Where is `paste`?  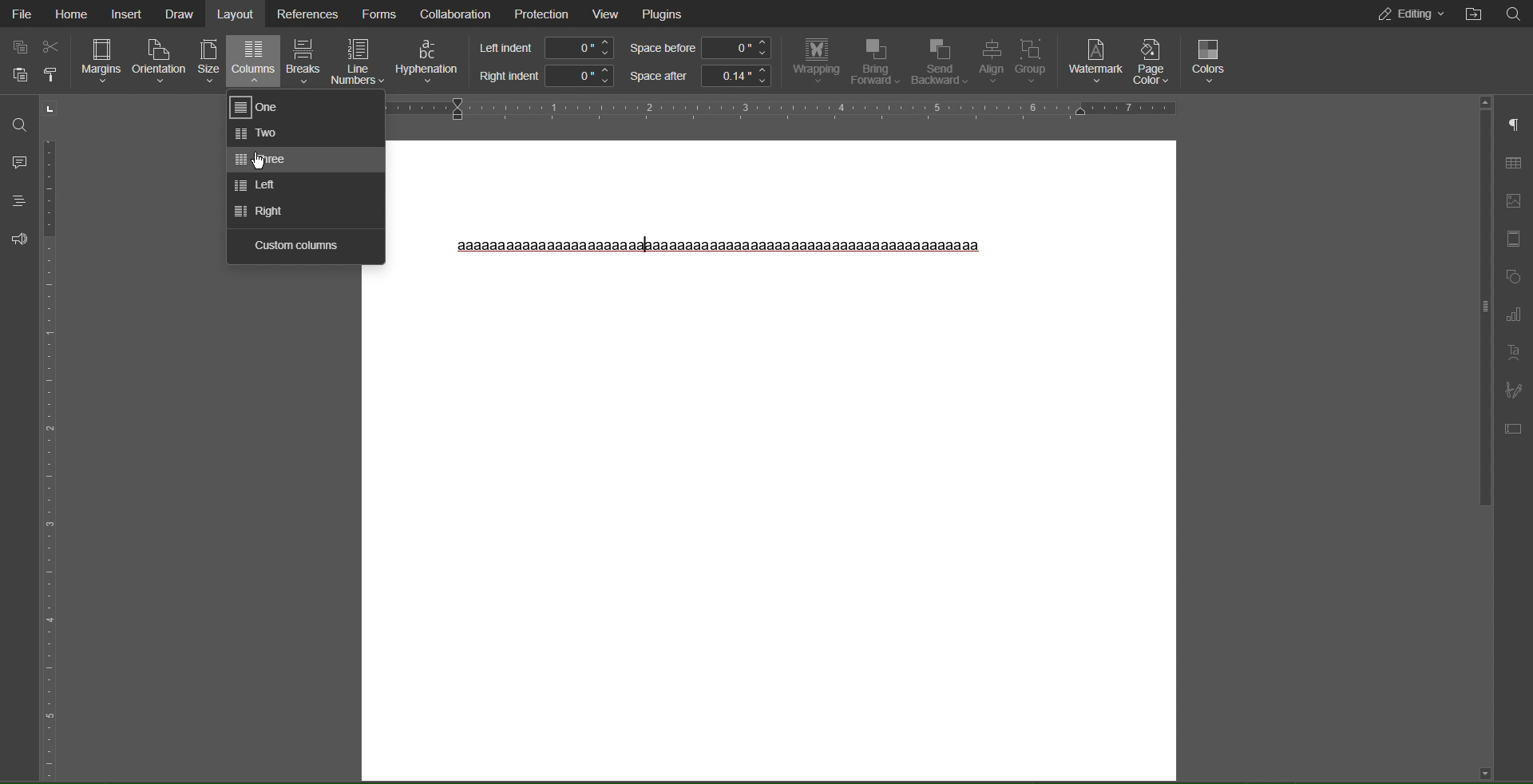 paste is located at coordinates (18, 78).